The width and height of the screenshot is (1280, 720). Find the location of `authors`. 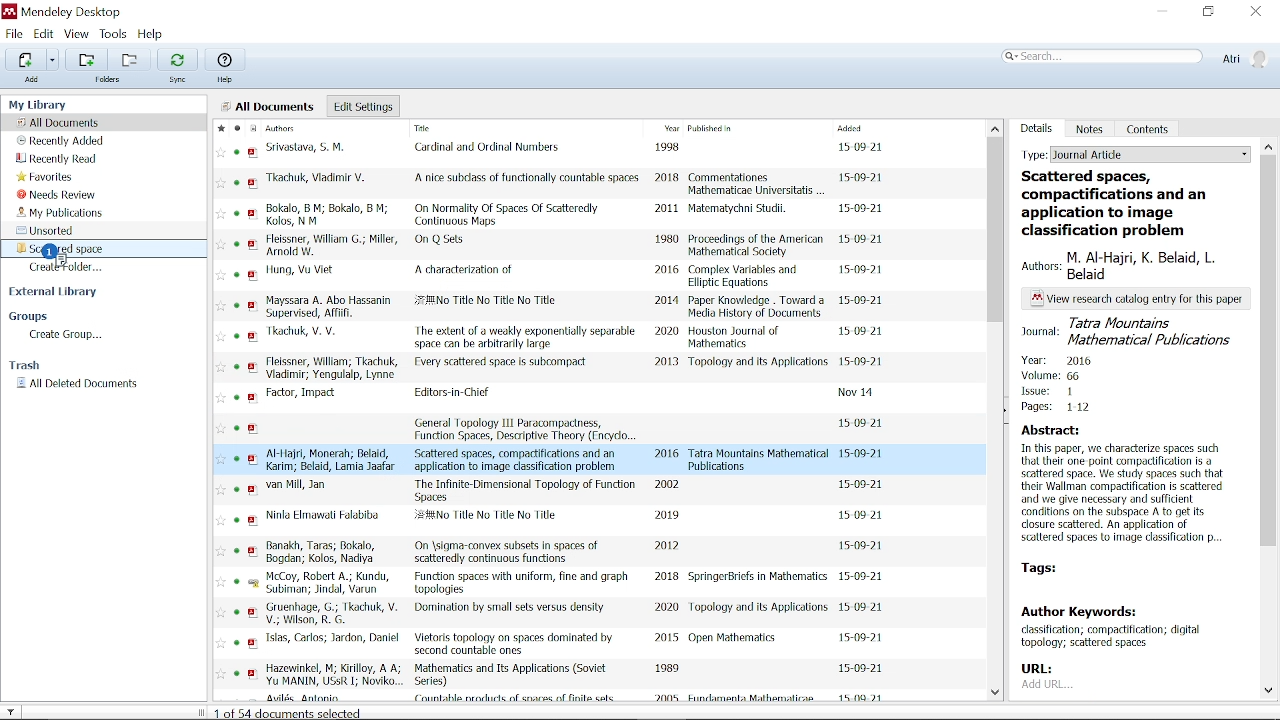

authors is located at coordinates (1135, 266).